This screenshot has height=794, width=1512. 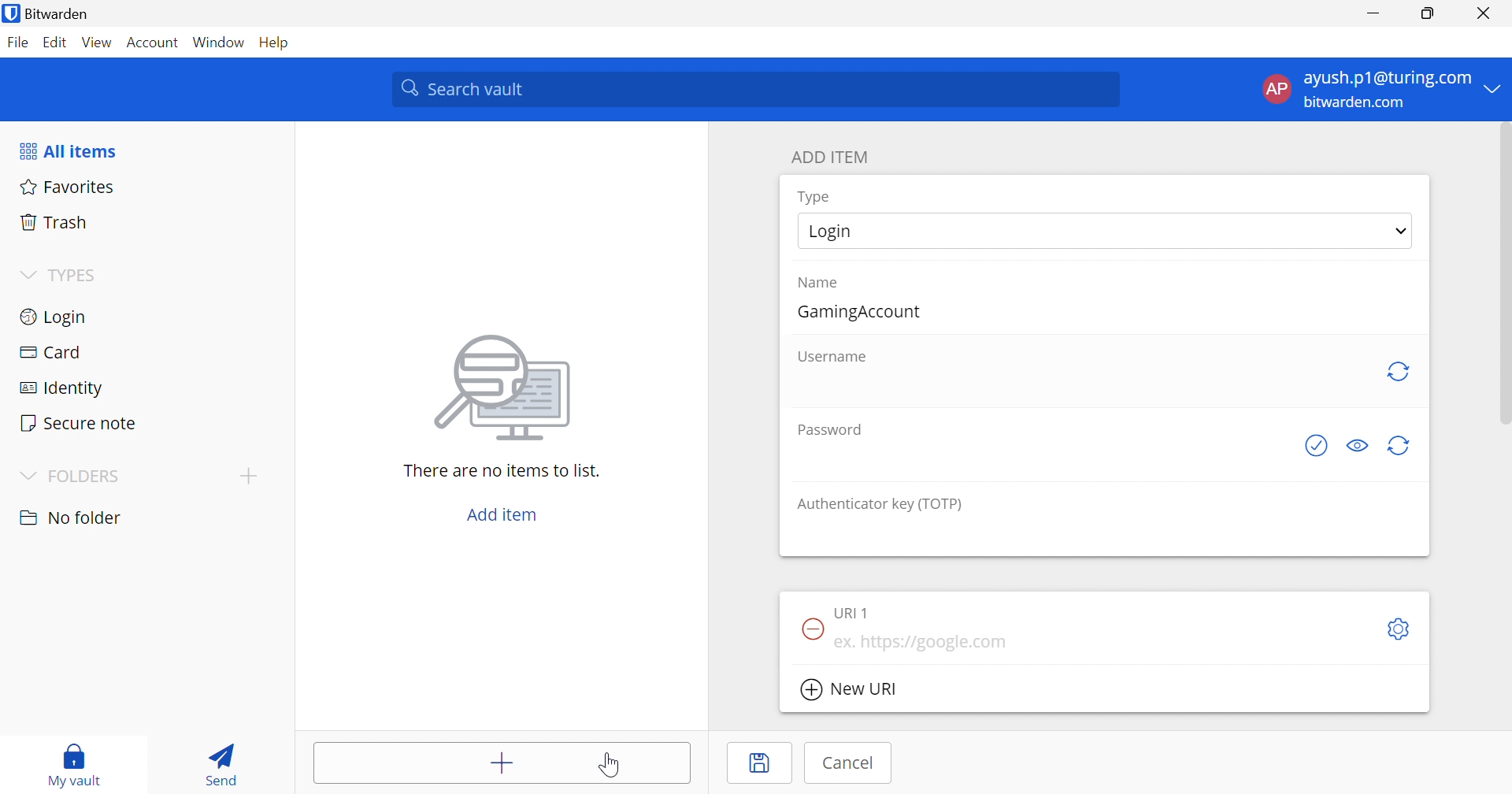 What do you see at coordinates (87, 477) in the screenshot?
I see `FOLDERS` at bounding box center [87, 477].